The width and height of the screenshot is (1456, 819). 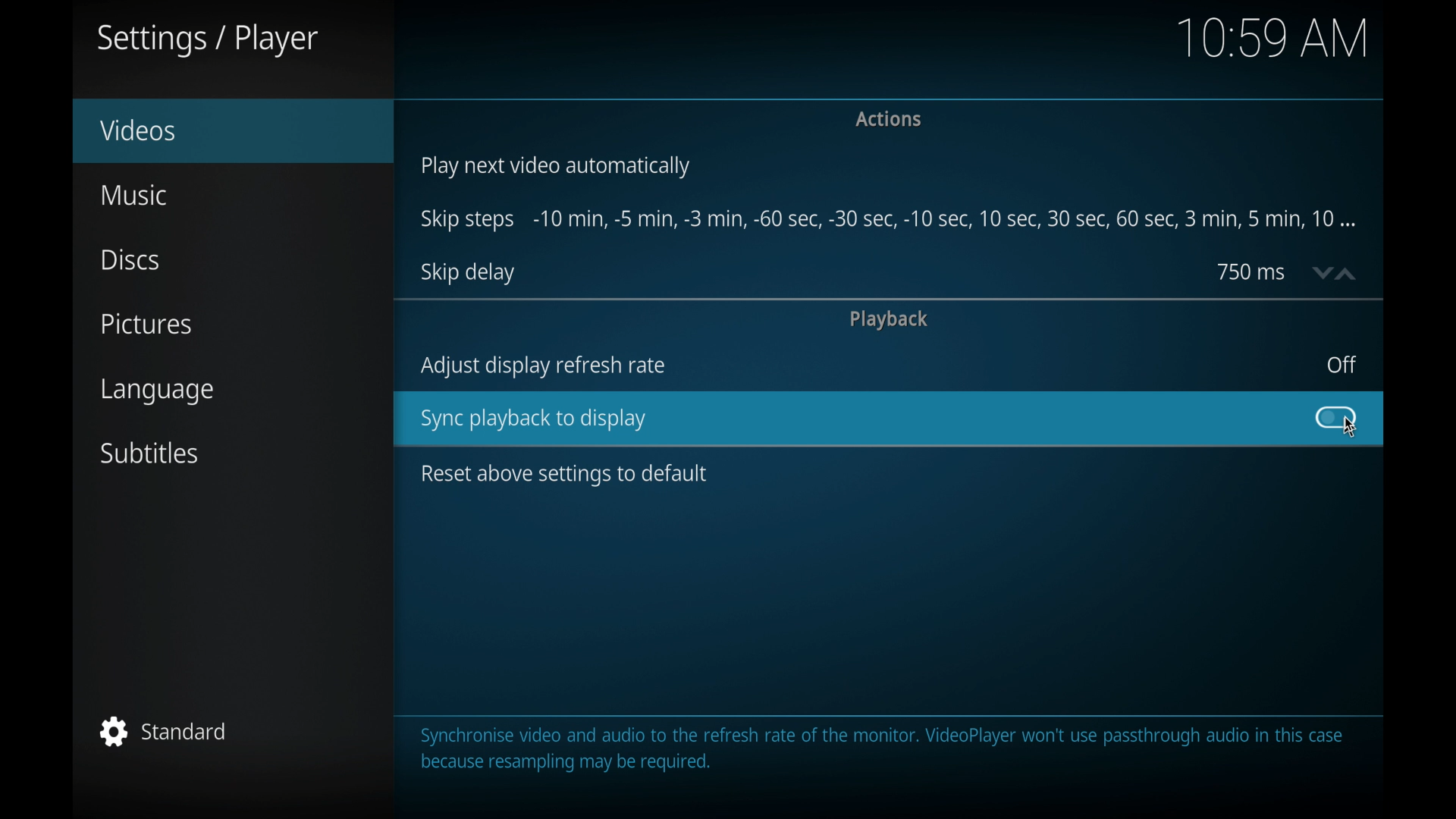 What do you see at coordinates (541, 367) in the screenshot?
I see `adjust display refresh rate` at bounding box center [541, 367].